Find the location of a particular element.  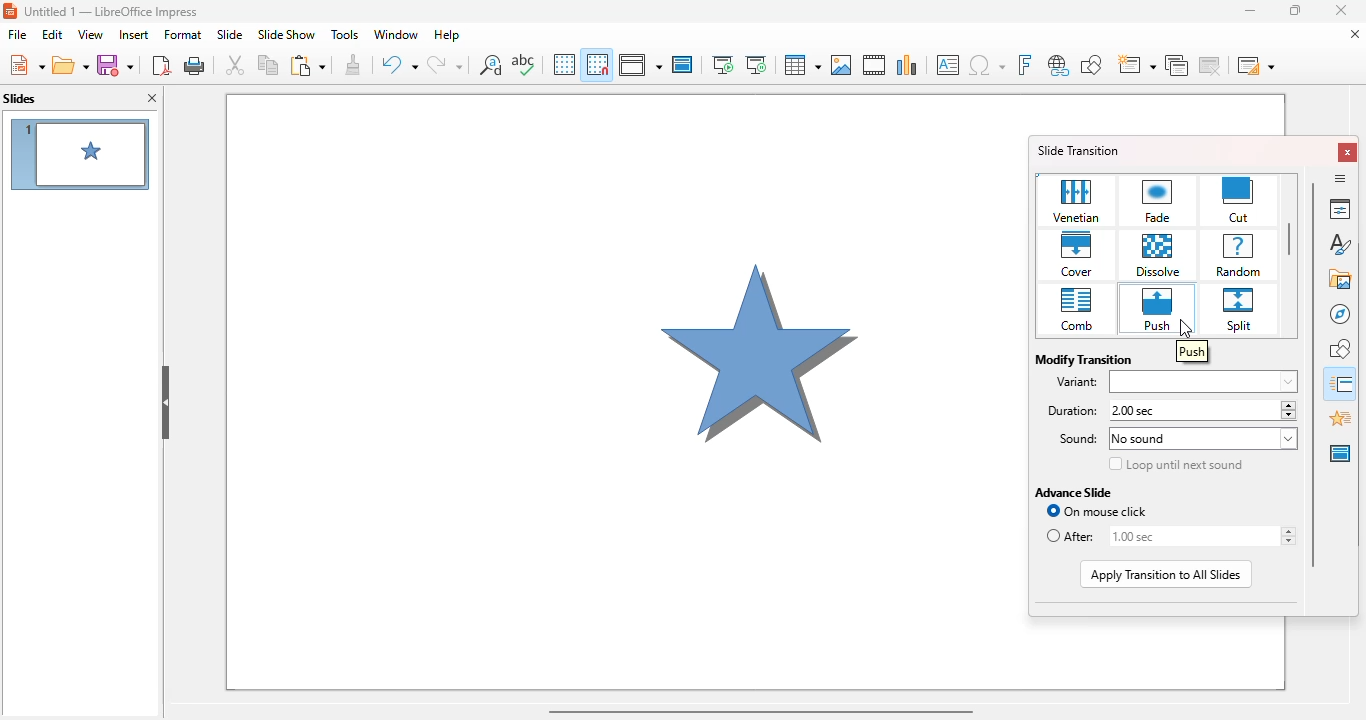

display grid is located at coordinates (564, 64).